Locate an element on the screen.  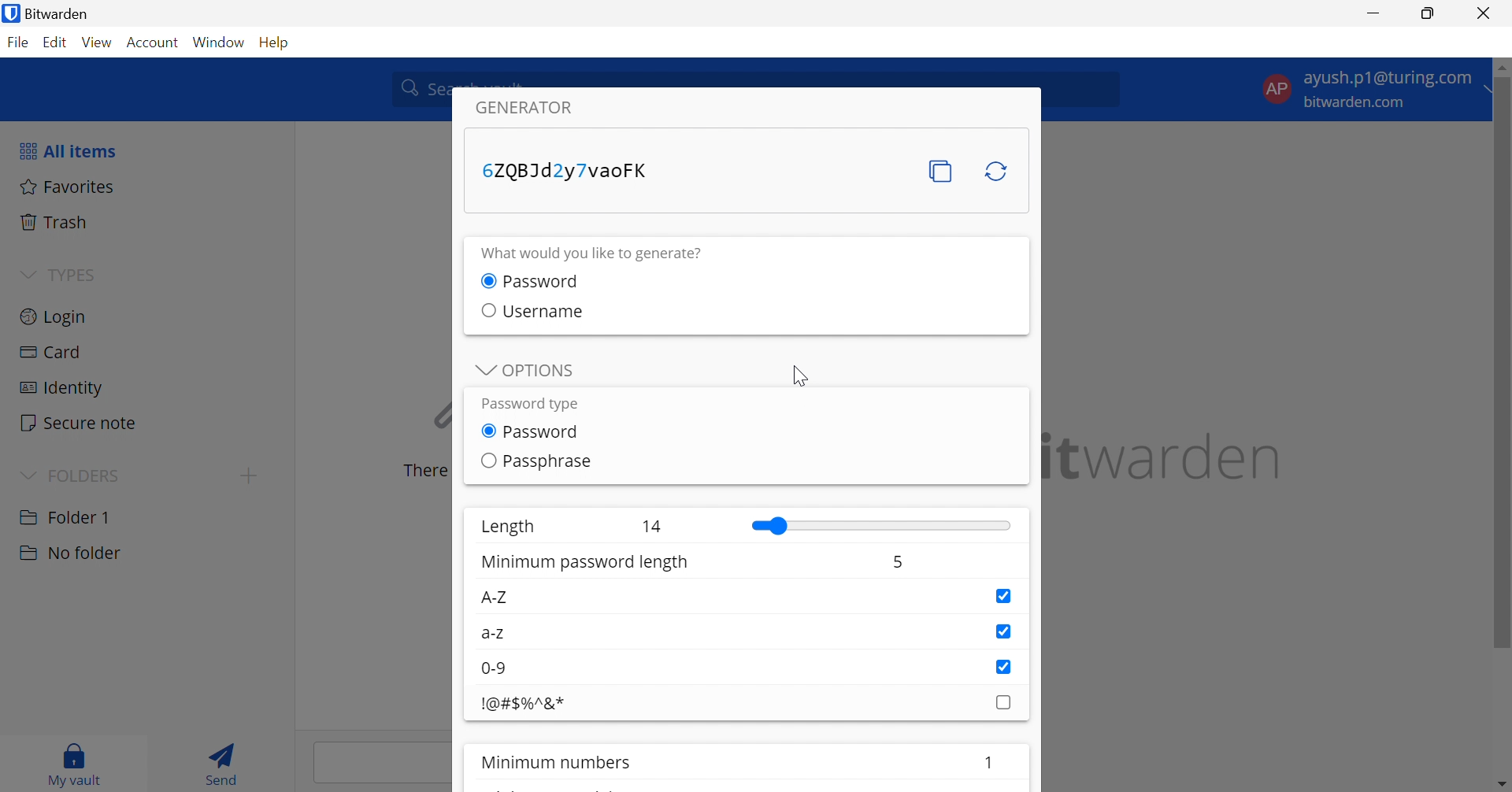
a-z is located at coordinates (495, 635).